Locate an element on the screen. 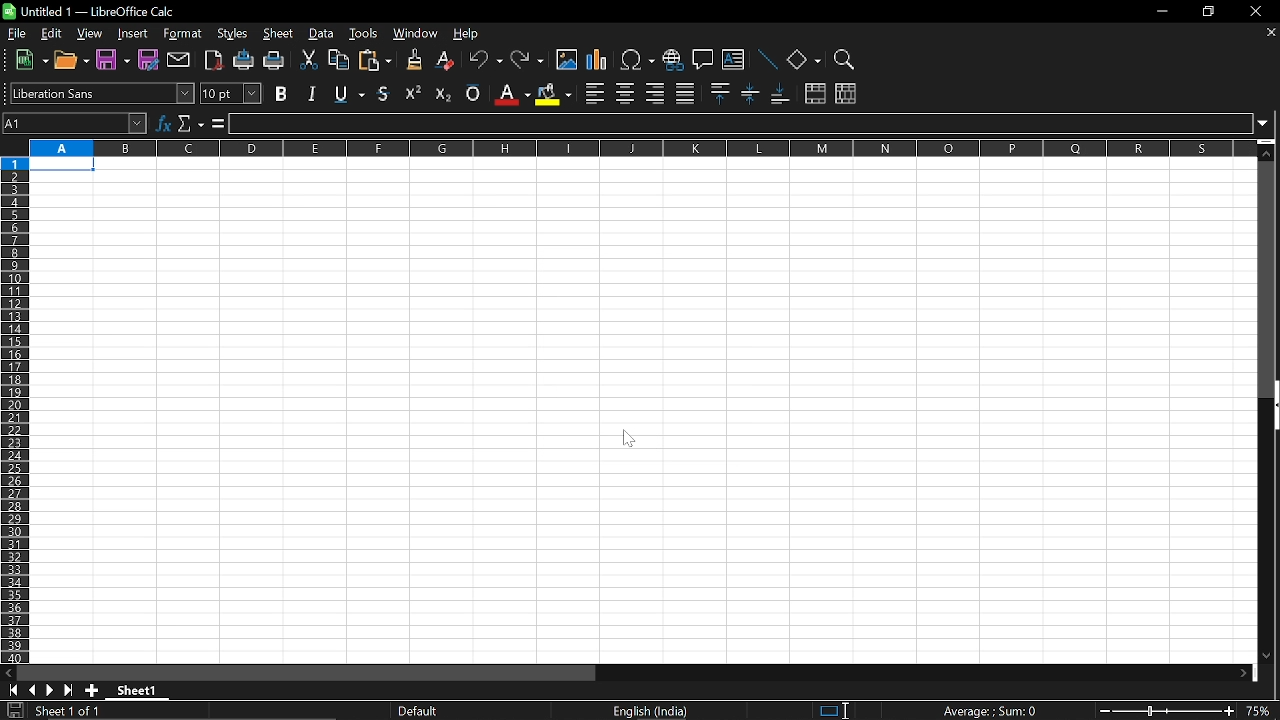 This screenshot has width=1280, height=720. clone formatting is located at coordinates (410, 59).